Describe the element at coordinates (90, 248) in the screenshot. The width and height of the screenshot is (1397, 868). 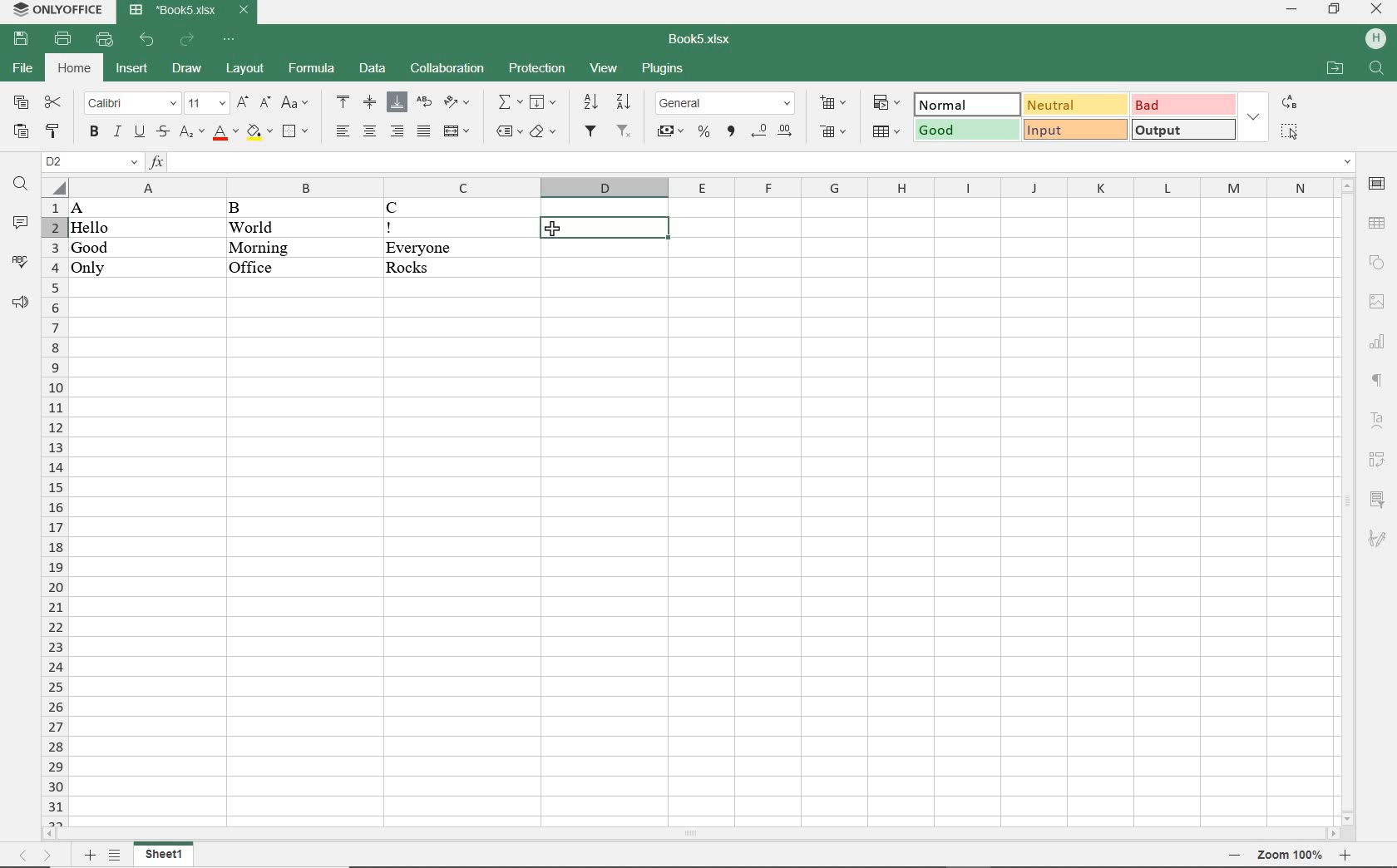
I see `Good` at that location.